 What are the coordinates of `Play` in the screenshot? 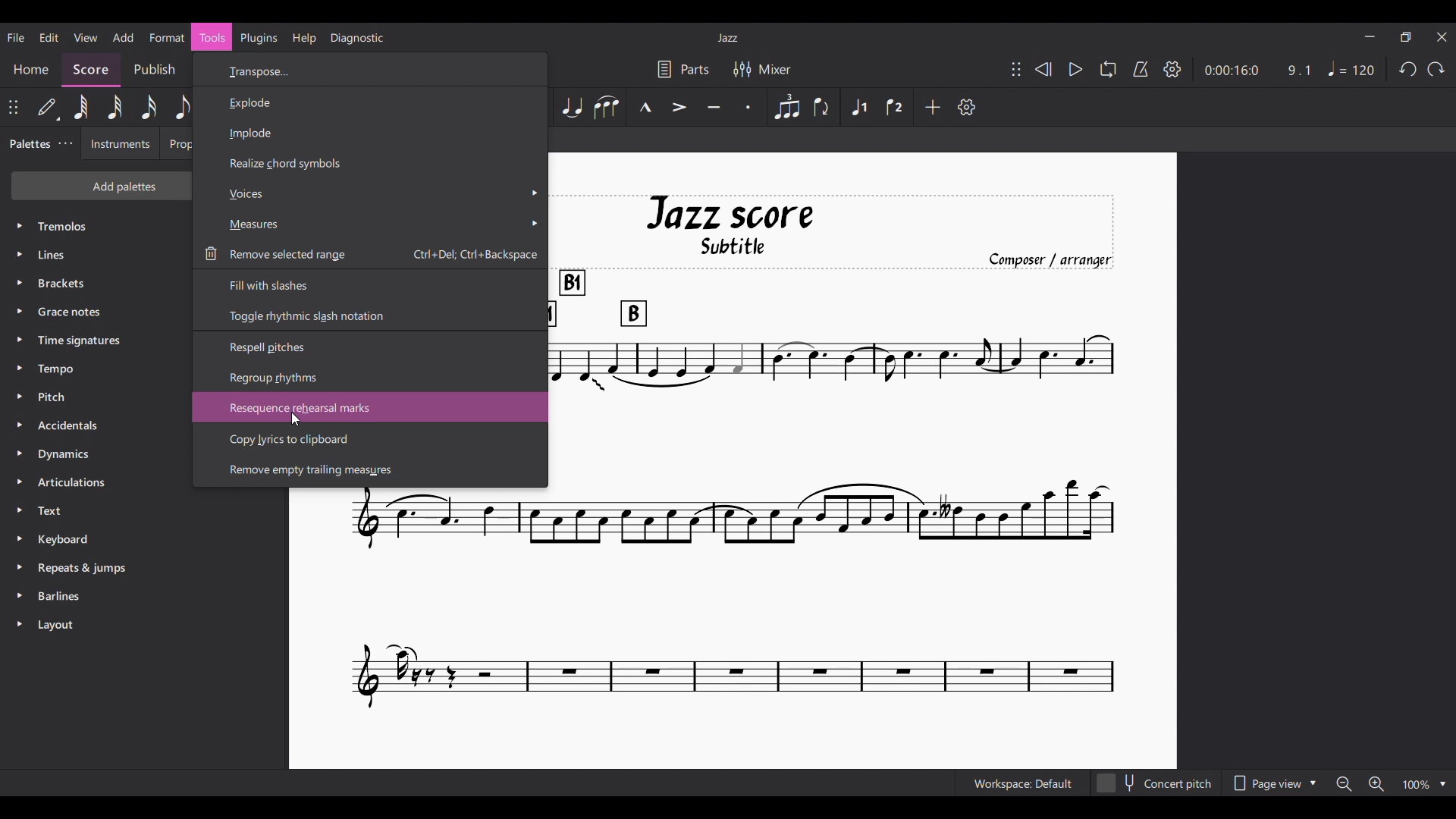 It's located at (1076, 70).